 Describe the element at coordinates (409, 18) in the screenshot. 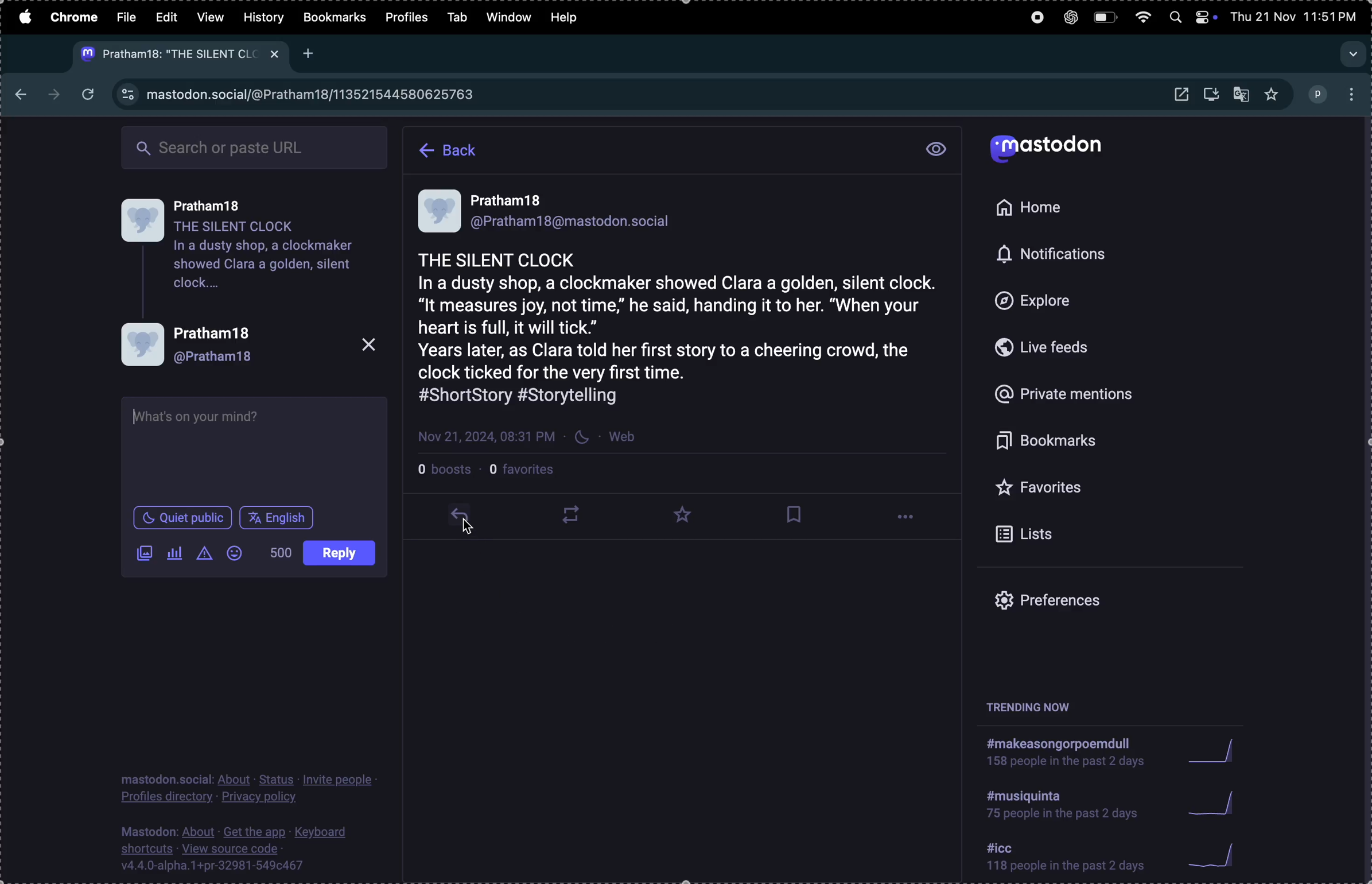

I see `profile` at that location.